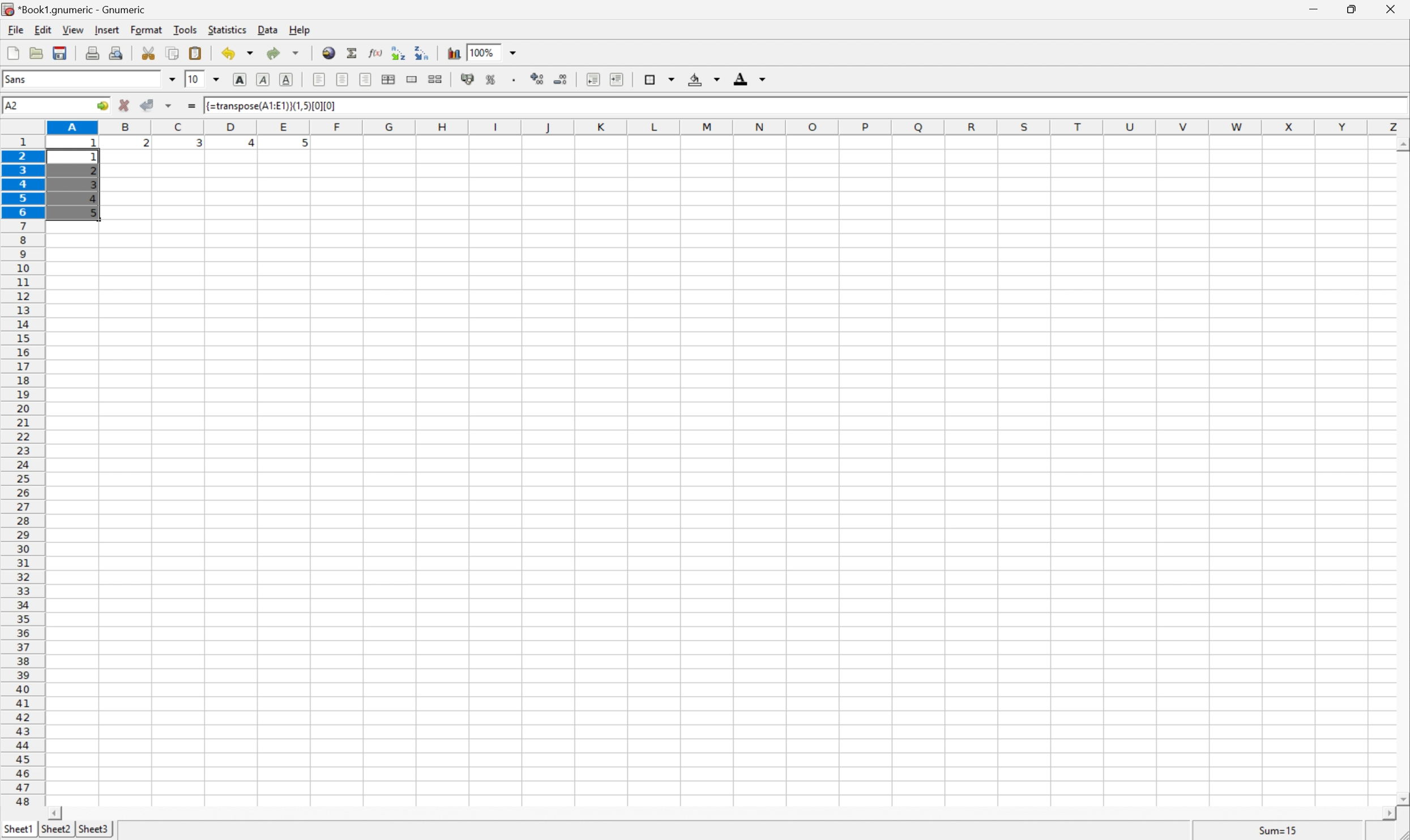 The image size is (1410, 840). Describe the element at coordinates (1355, 8) in the screenshot. I see `restore down` at that location.